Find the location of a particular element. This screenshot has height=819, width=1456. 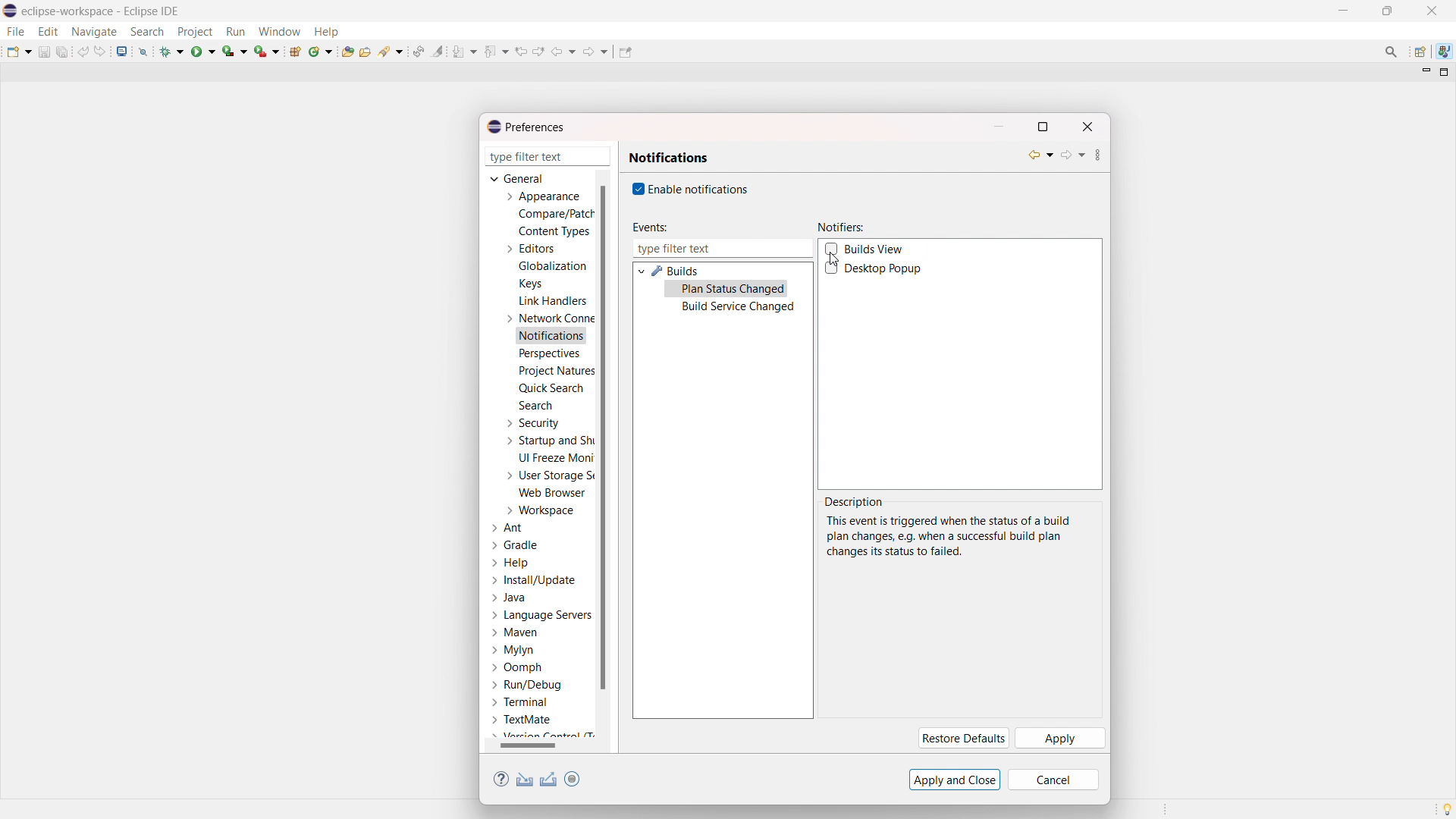

build service changed is located at coordinates (738, 308).